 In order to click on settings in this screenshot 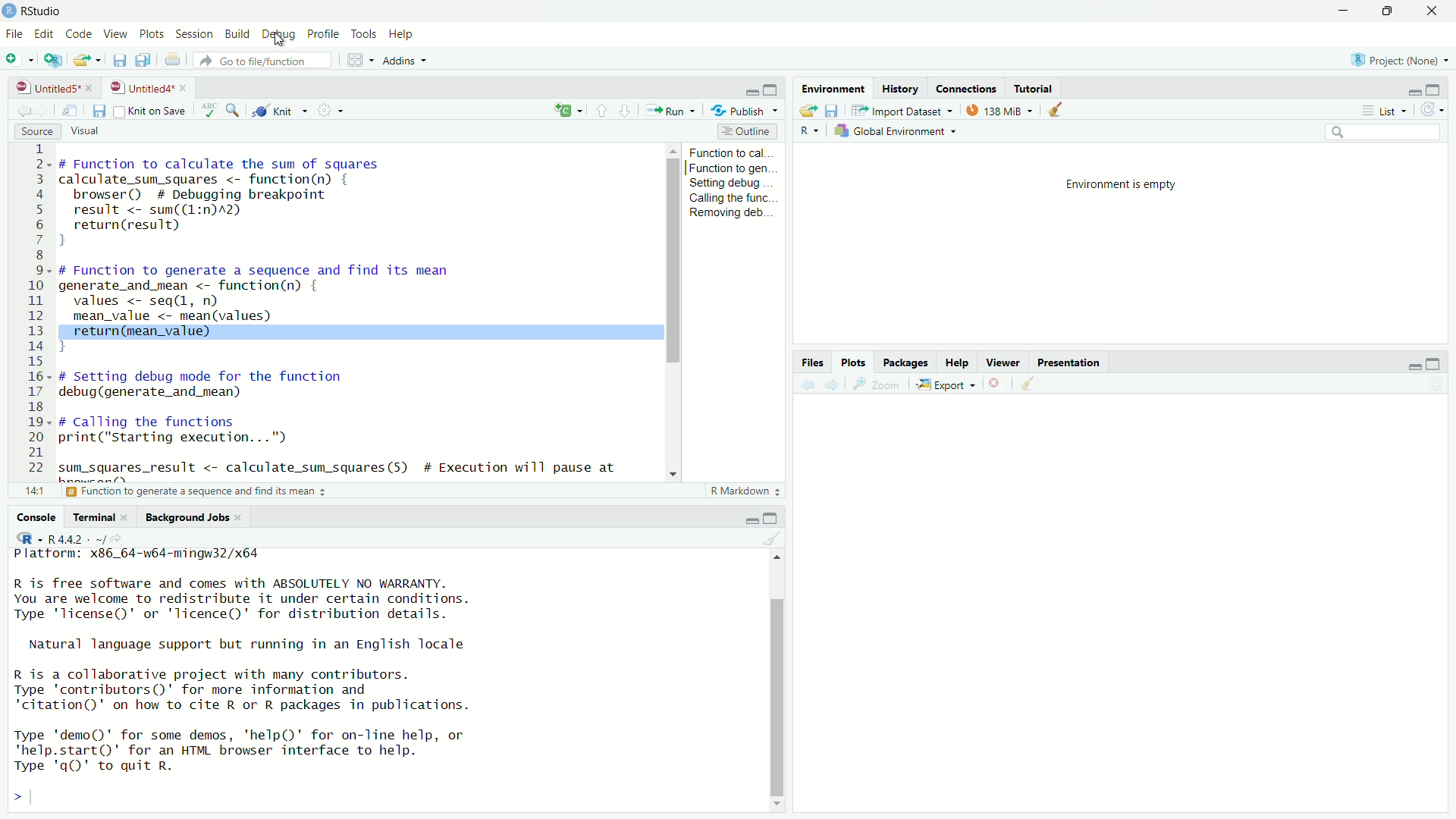, I will do `click(332, 110)`.